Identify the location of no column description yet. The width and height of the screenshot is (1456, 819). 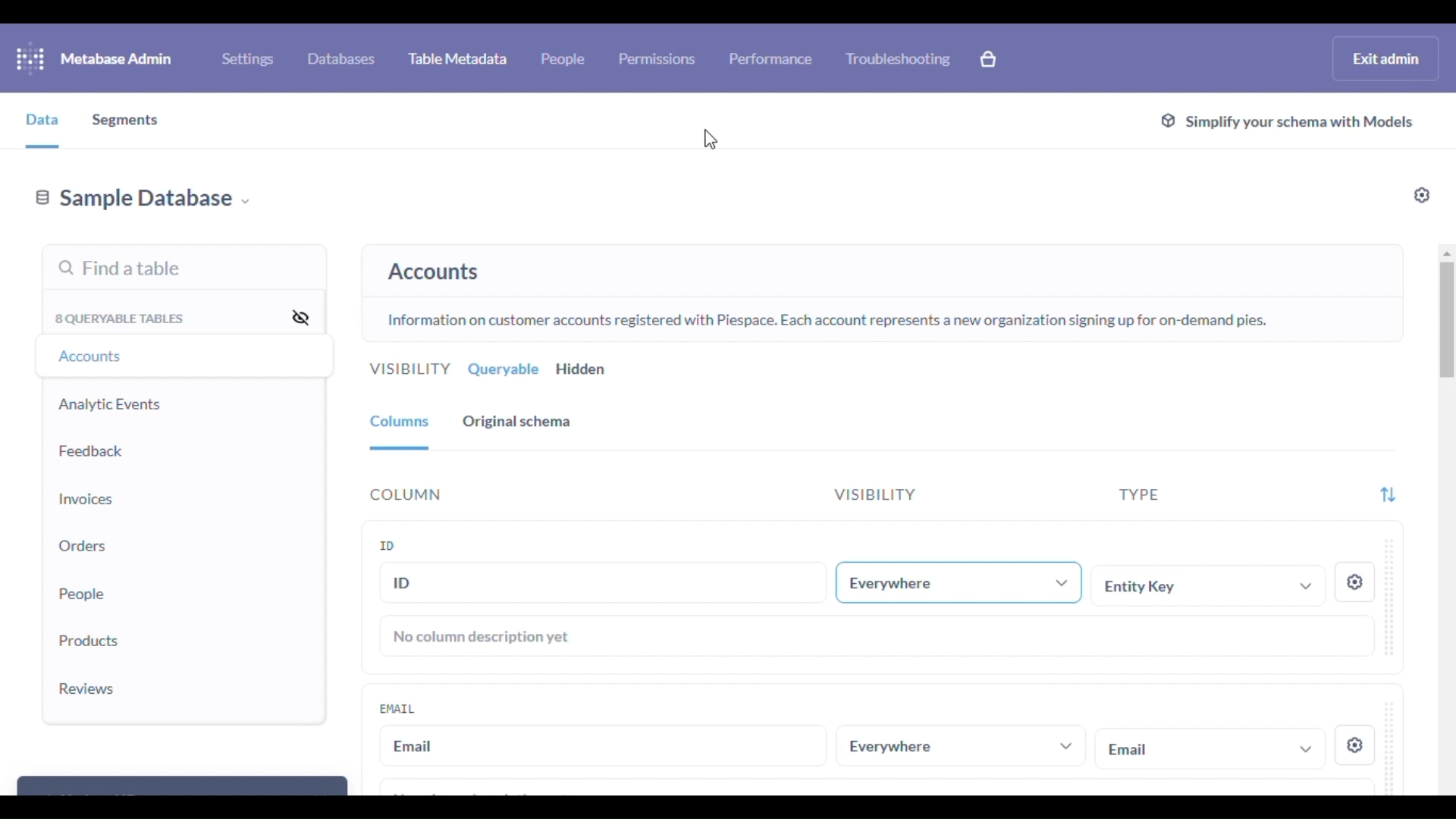
(483, 637).